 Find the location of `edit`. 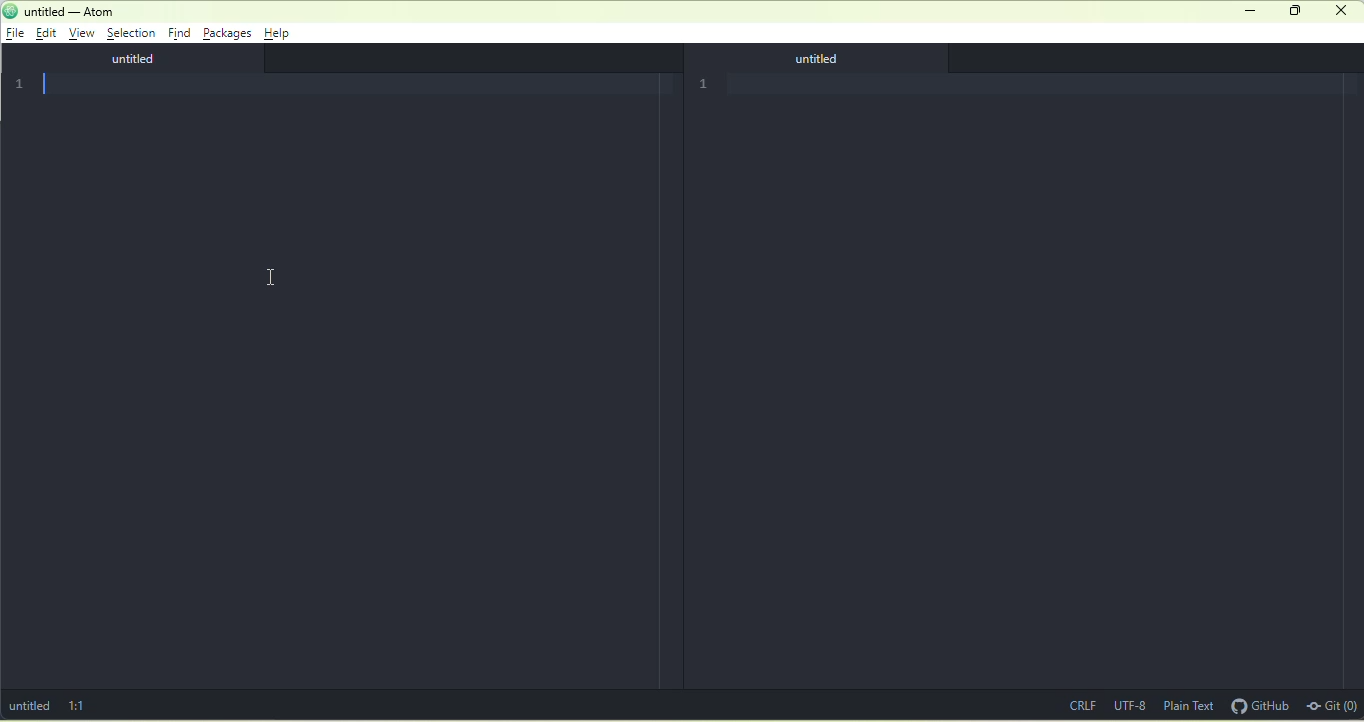

edit is located at coordinates (50, 35).